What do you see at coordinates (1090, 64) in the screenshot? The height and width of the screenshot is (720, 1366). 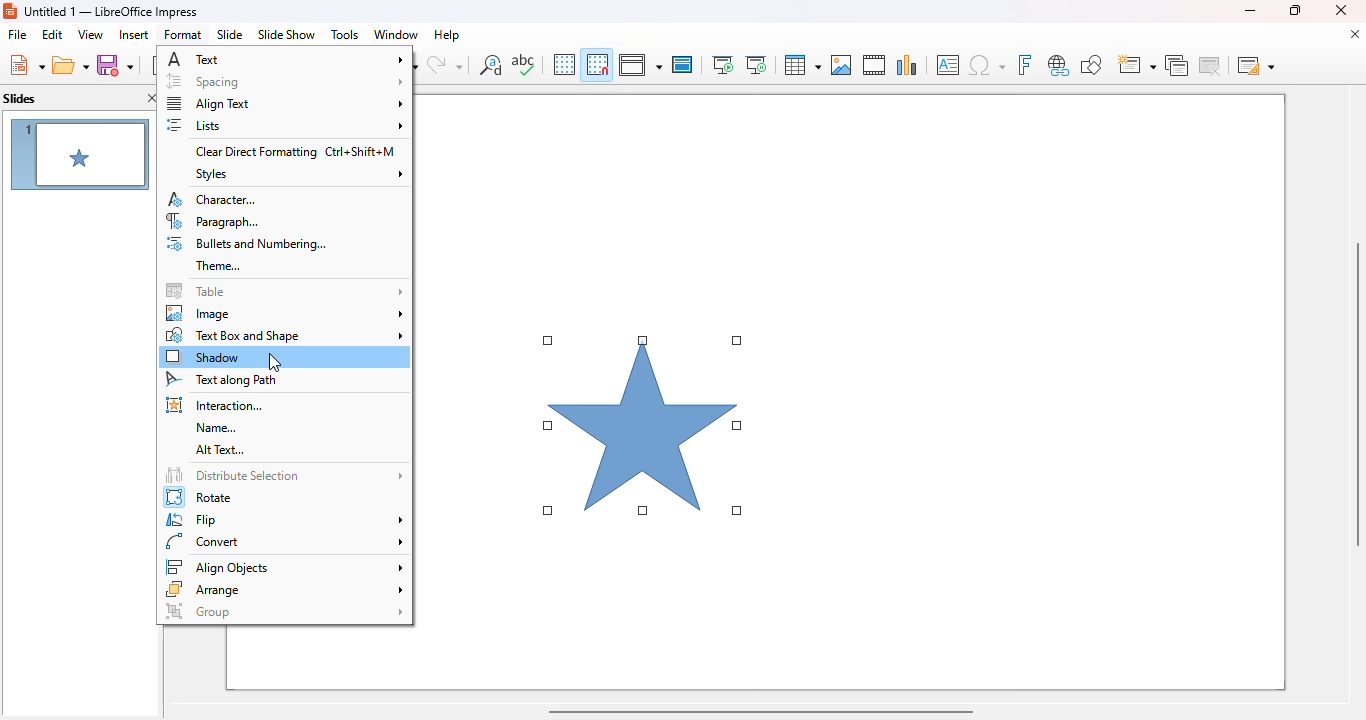 I see `show draw functions` at bounding box center [1090, 64].